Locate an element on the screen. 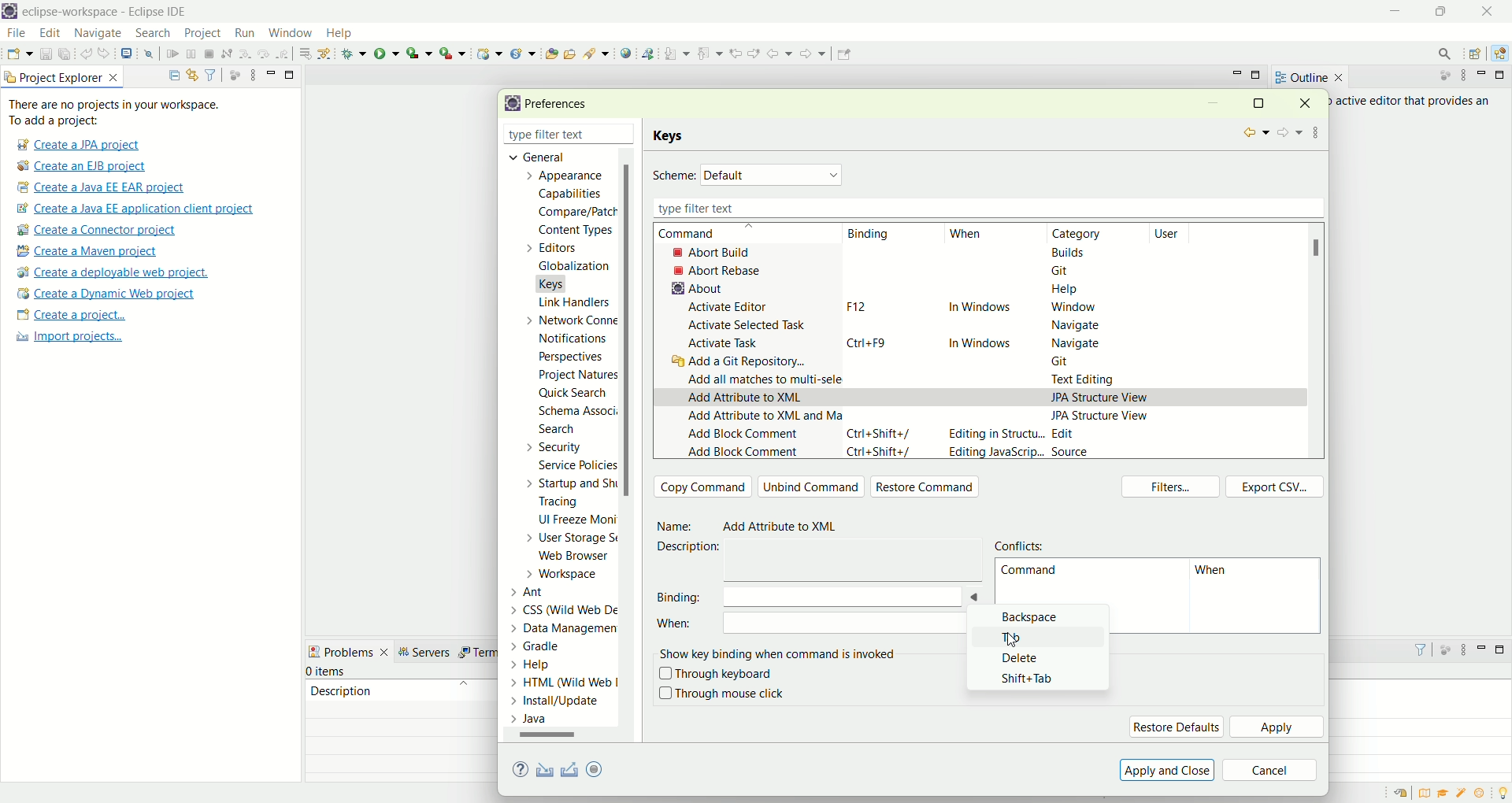 The height and width of the screenshot is (803, 1512). forward is located at coordinates (1288, 134).